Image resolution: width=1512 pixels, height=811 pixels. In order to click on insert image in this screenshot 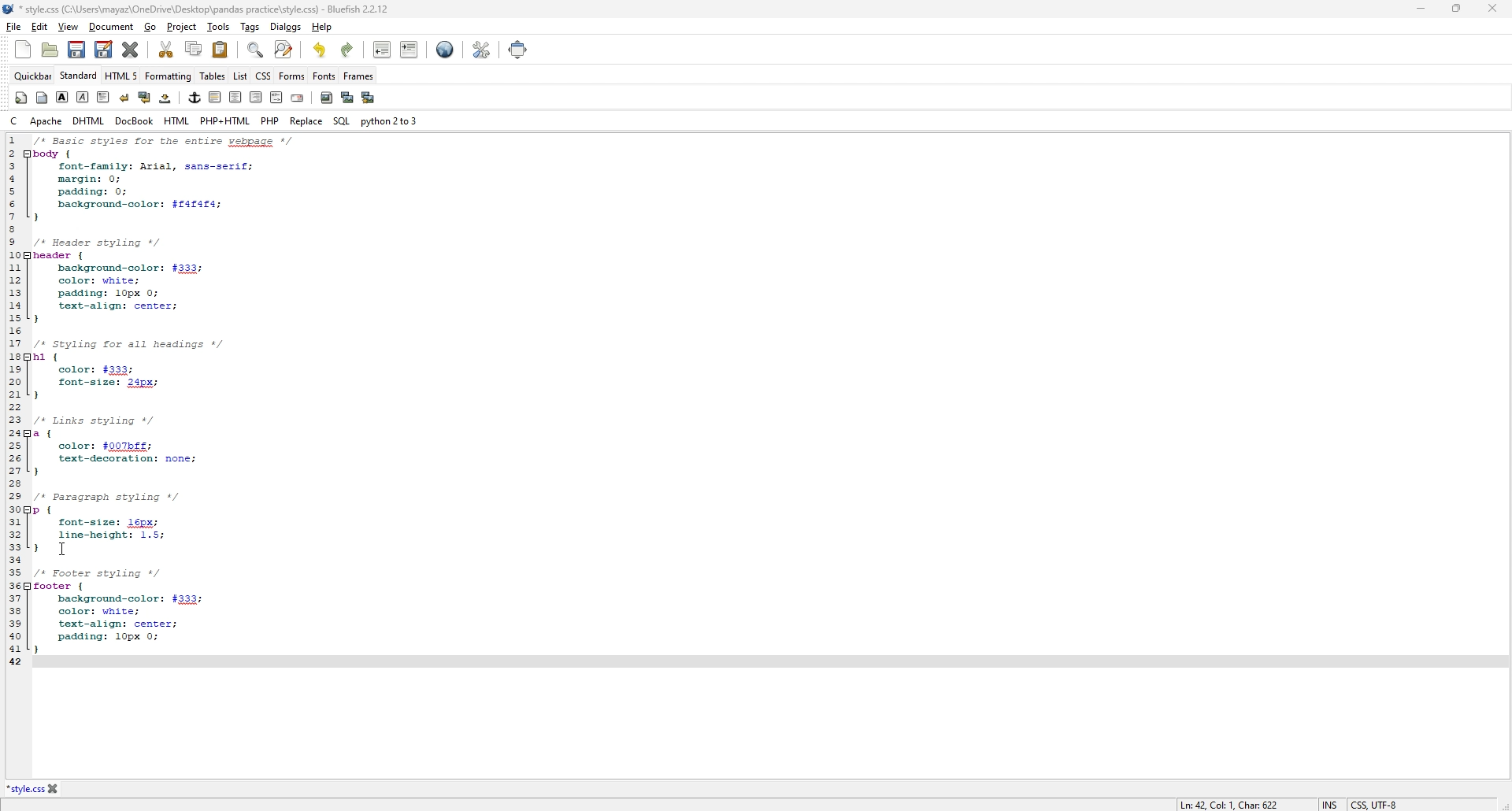, I will do `click(328, 98)`.